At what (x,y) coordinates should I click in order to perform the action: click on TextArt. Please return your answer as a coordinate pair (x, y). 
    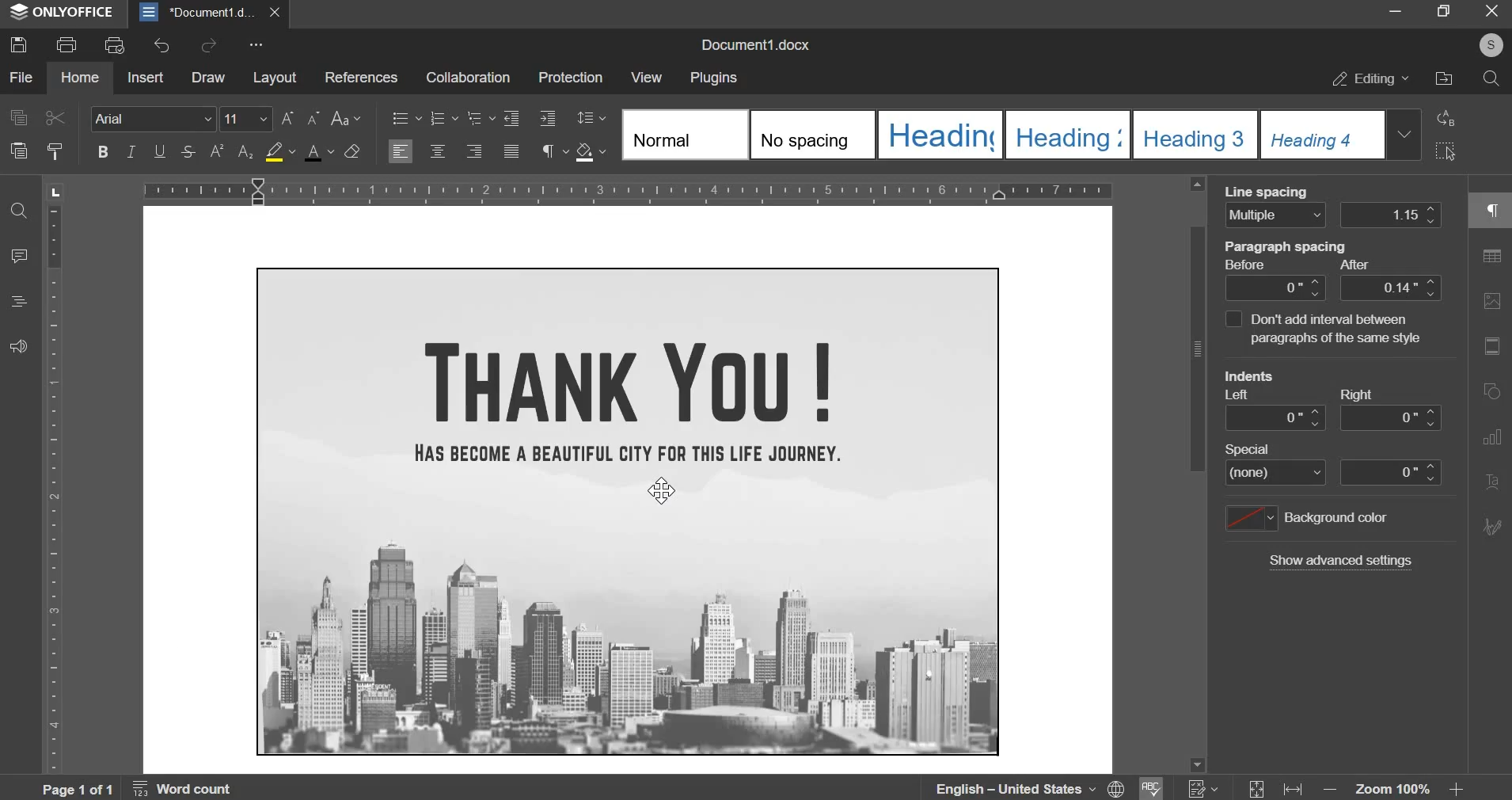
    Looking at the image, I should click on (1495, 481).